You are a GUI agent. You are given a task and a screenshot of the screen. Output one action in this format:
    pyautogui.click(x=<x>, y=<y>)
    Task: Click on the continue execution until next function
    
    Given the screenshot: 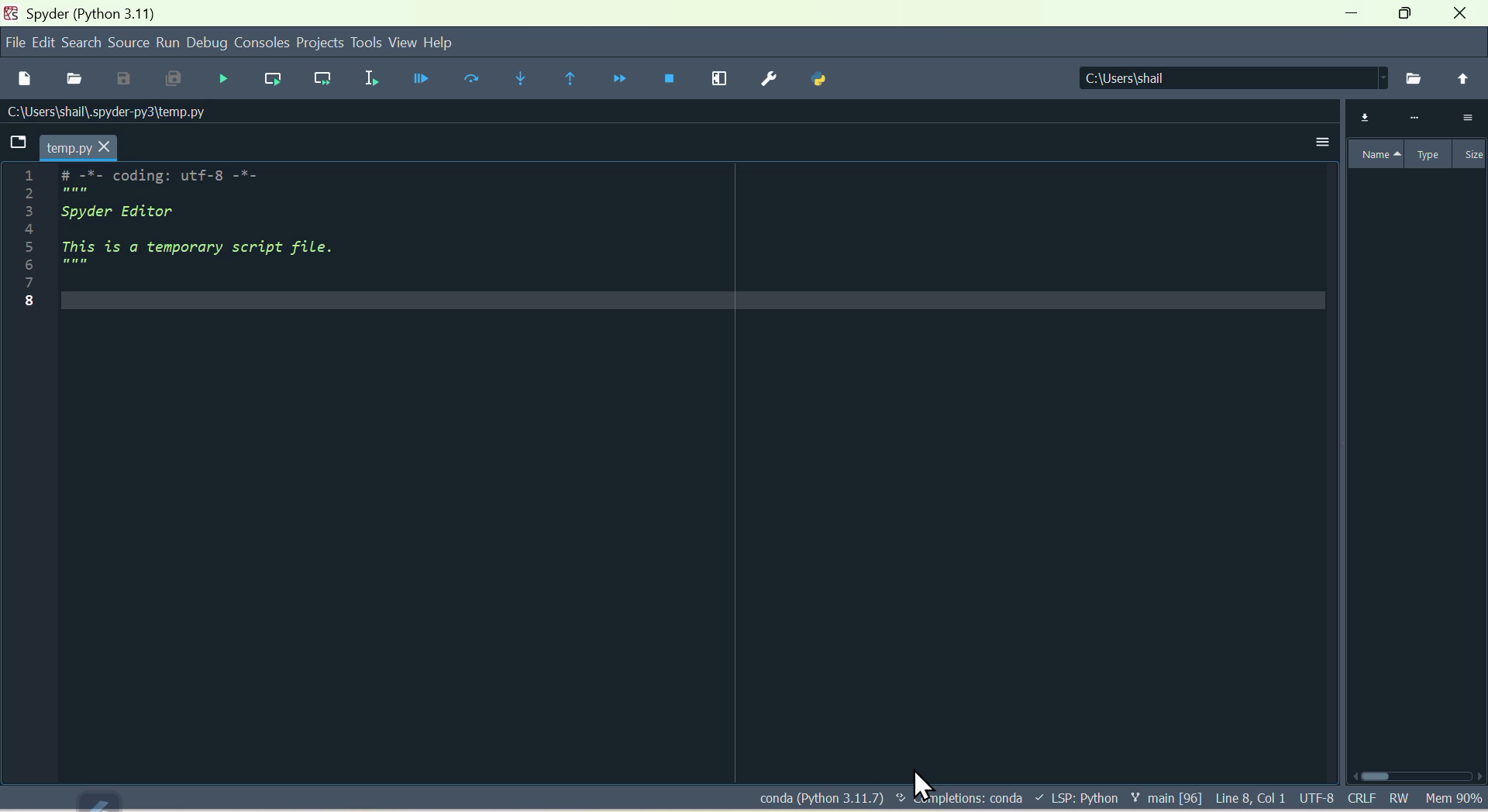 What is the action you would take?
    pyautogui.click(x=611, y=79)
    